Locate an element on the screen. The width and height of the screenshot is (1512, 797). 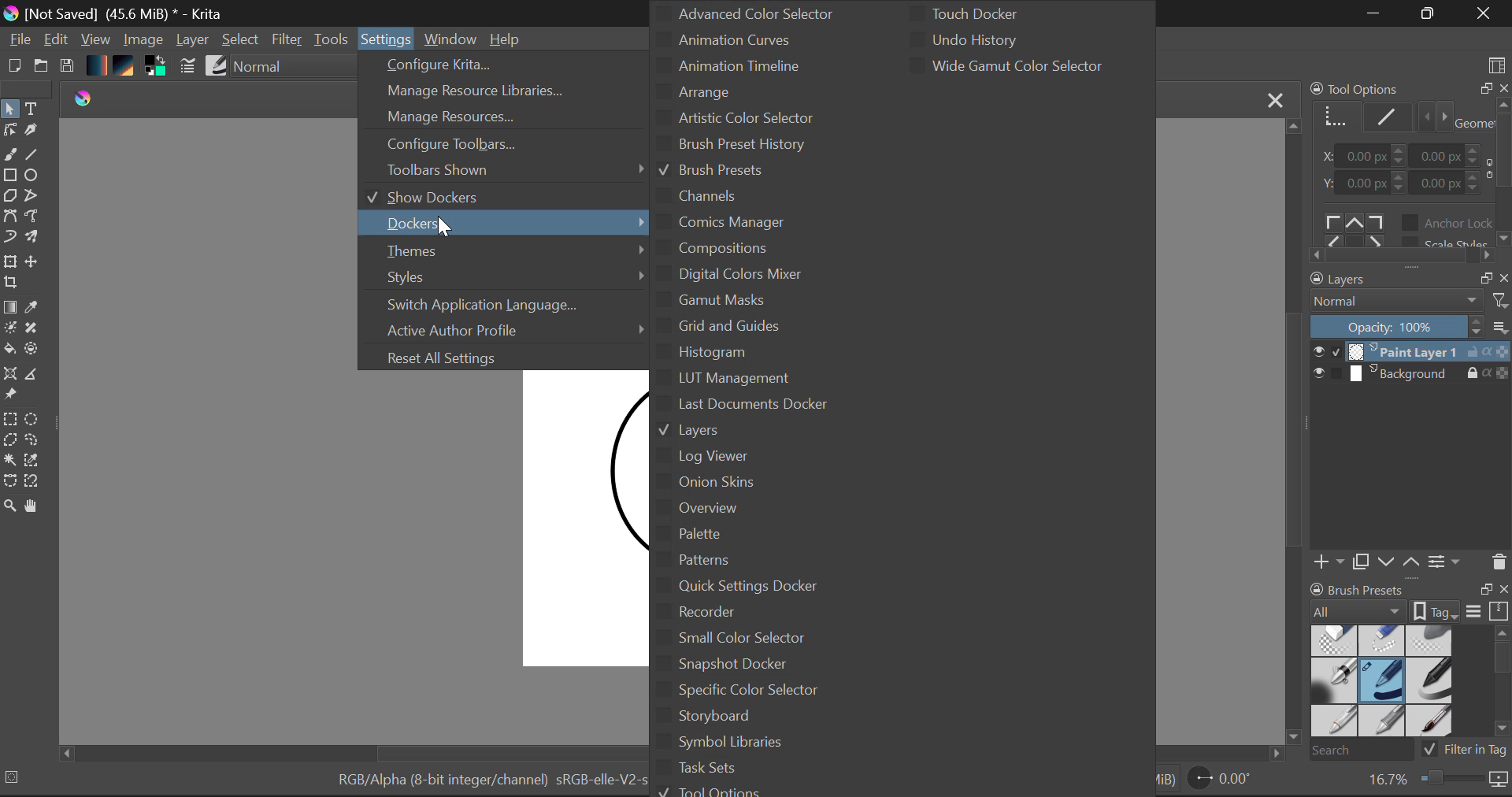
Touch Docker is located at coordinates (1002, 13).